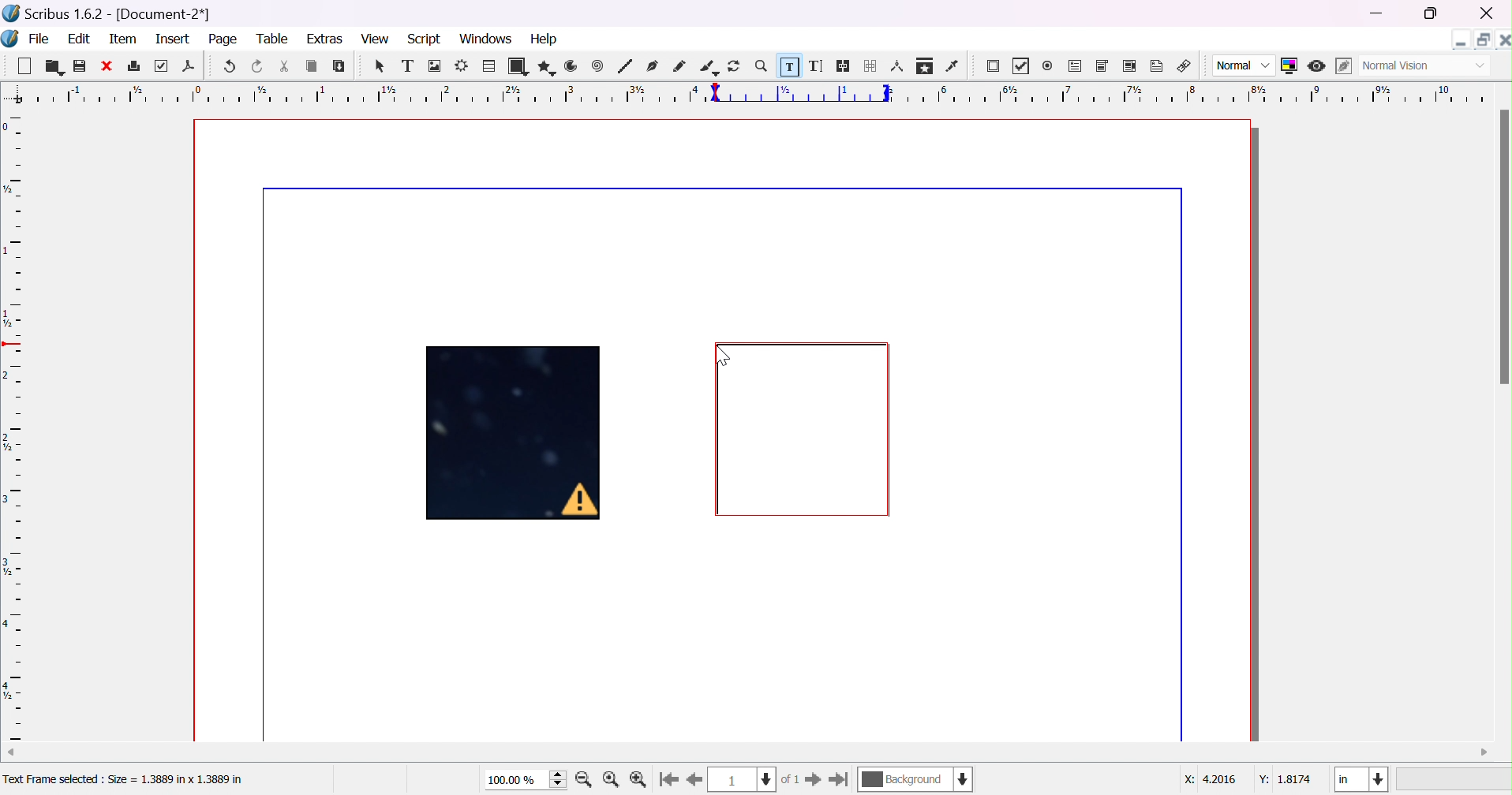  What do you see at coordinates (897, 66) in the screenshot?
I see `measurements` at bounding box center [897, 66].